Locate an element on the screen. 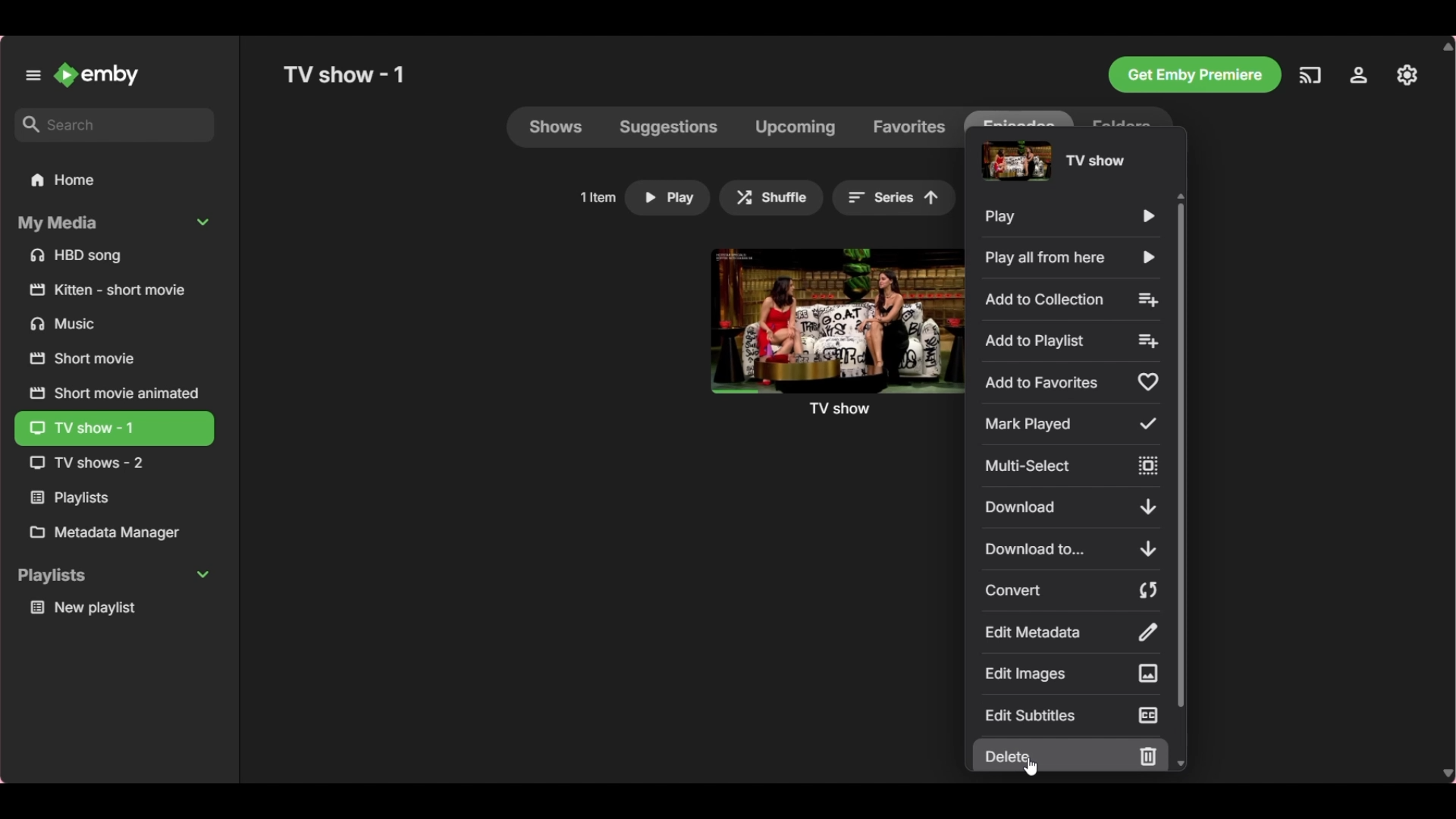 Image resolution: width=1456 pixels, height=819 pixels. Delete, highlighted is located at coordinates (1071, 755).